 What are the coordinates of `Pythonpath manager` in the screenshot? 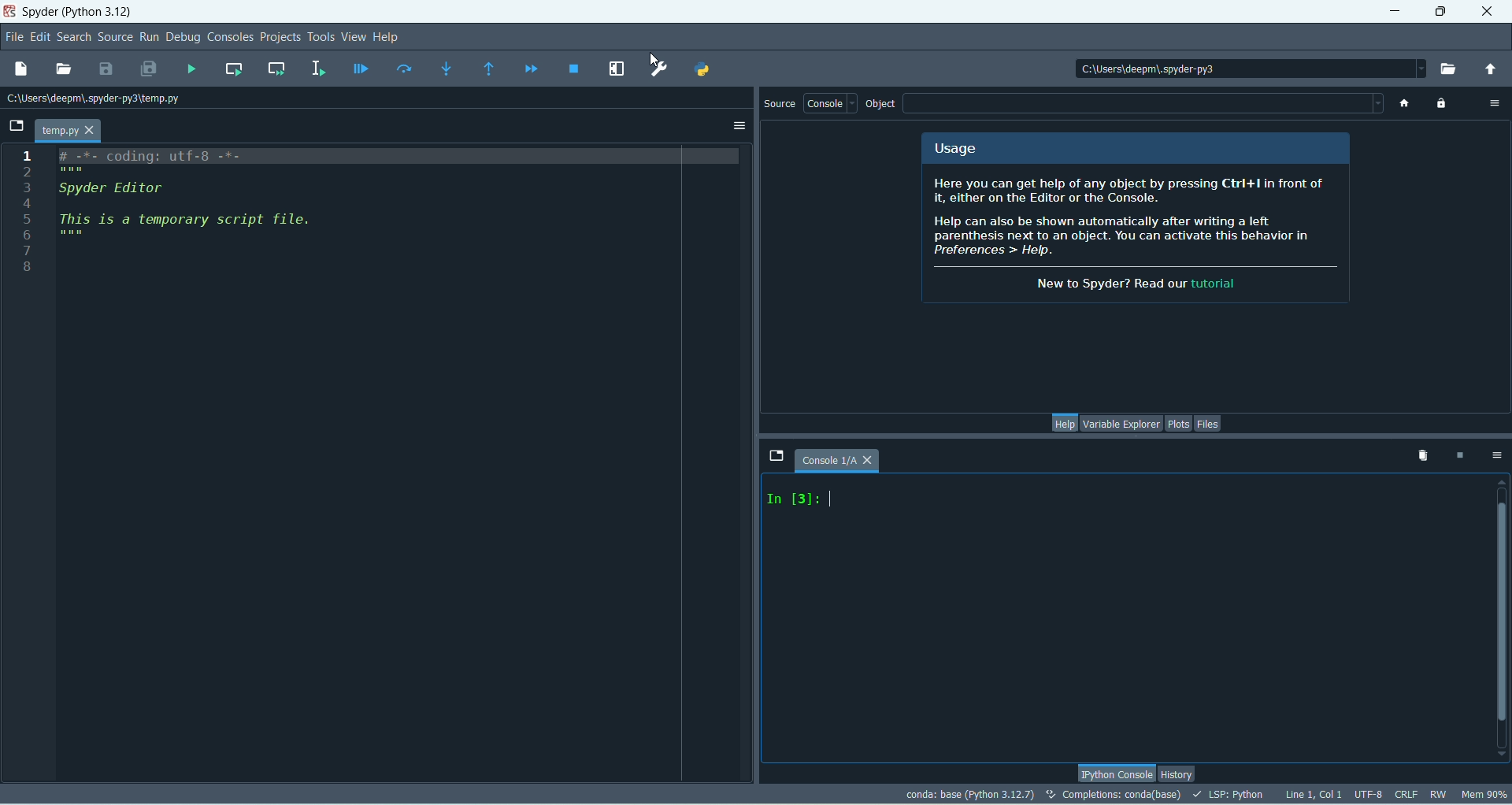 It's located at (702, 70).